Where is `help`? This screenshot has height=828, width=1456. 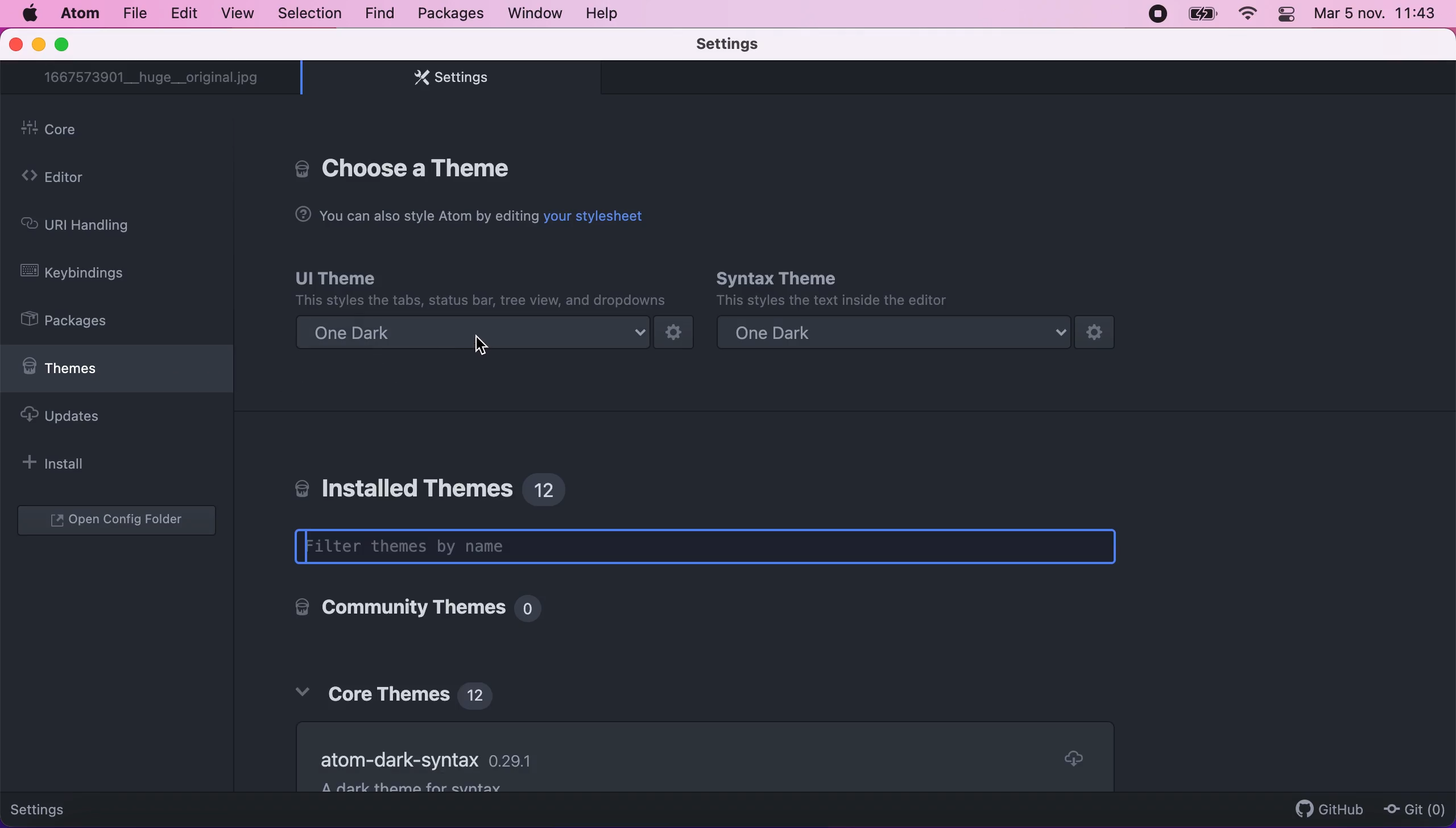
help is located at coordinates (609, 15).